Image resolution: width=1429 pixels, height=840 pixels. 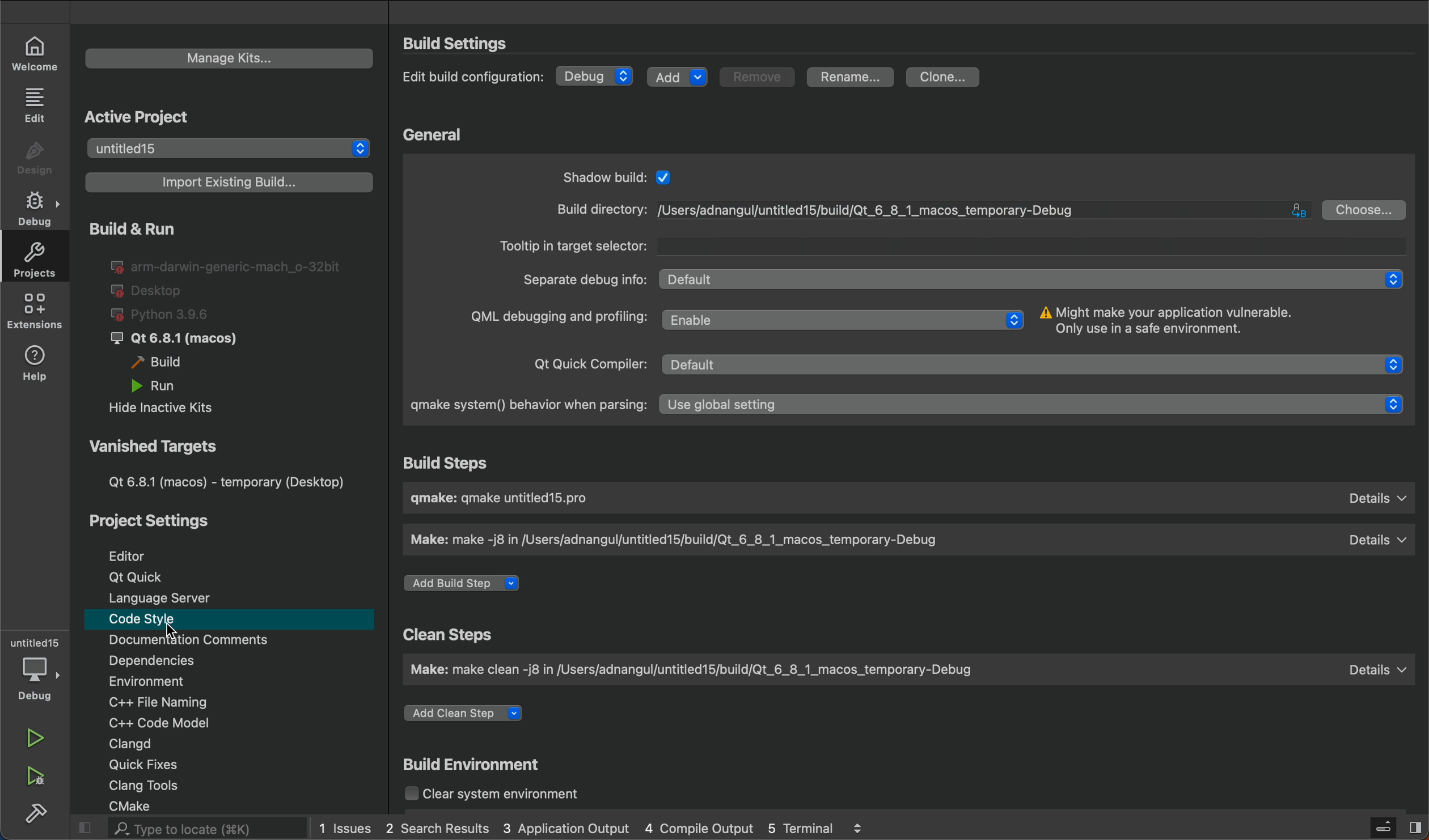 I want to click on import a build, so click(x=225, y=183).